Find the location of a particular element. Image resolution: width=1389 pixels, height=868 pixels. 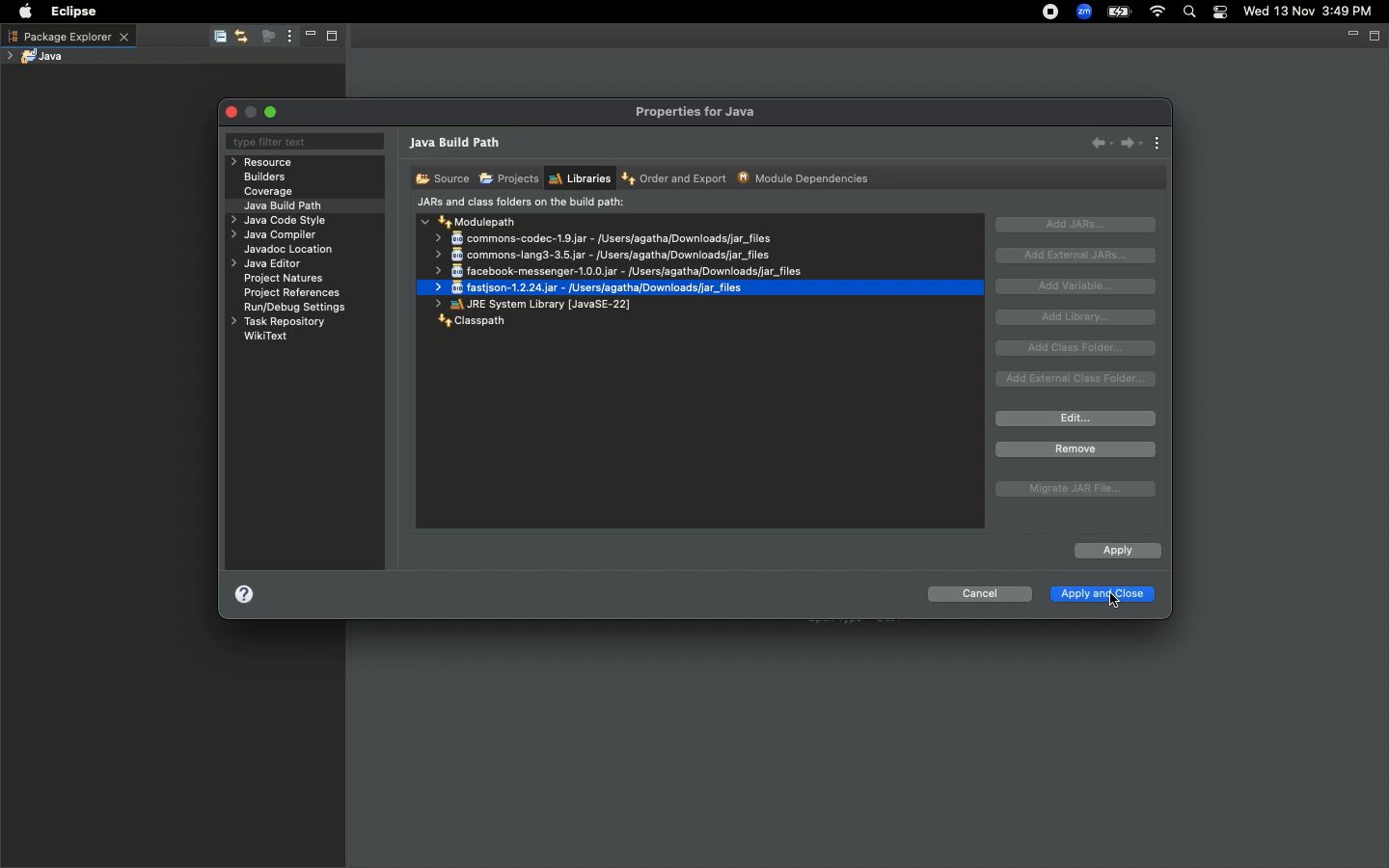

Close is located at coordinates (233, 112).